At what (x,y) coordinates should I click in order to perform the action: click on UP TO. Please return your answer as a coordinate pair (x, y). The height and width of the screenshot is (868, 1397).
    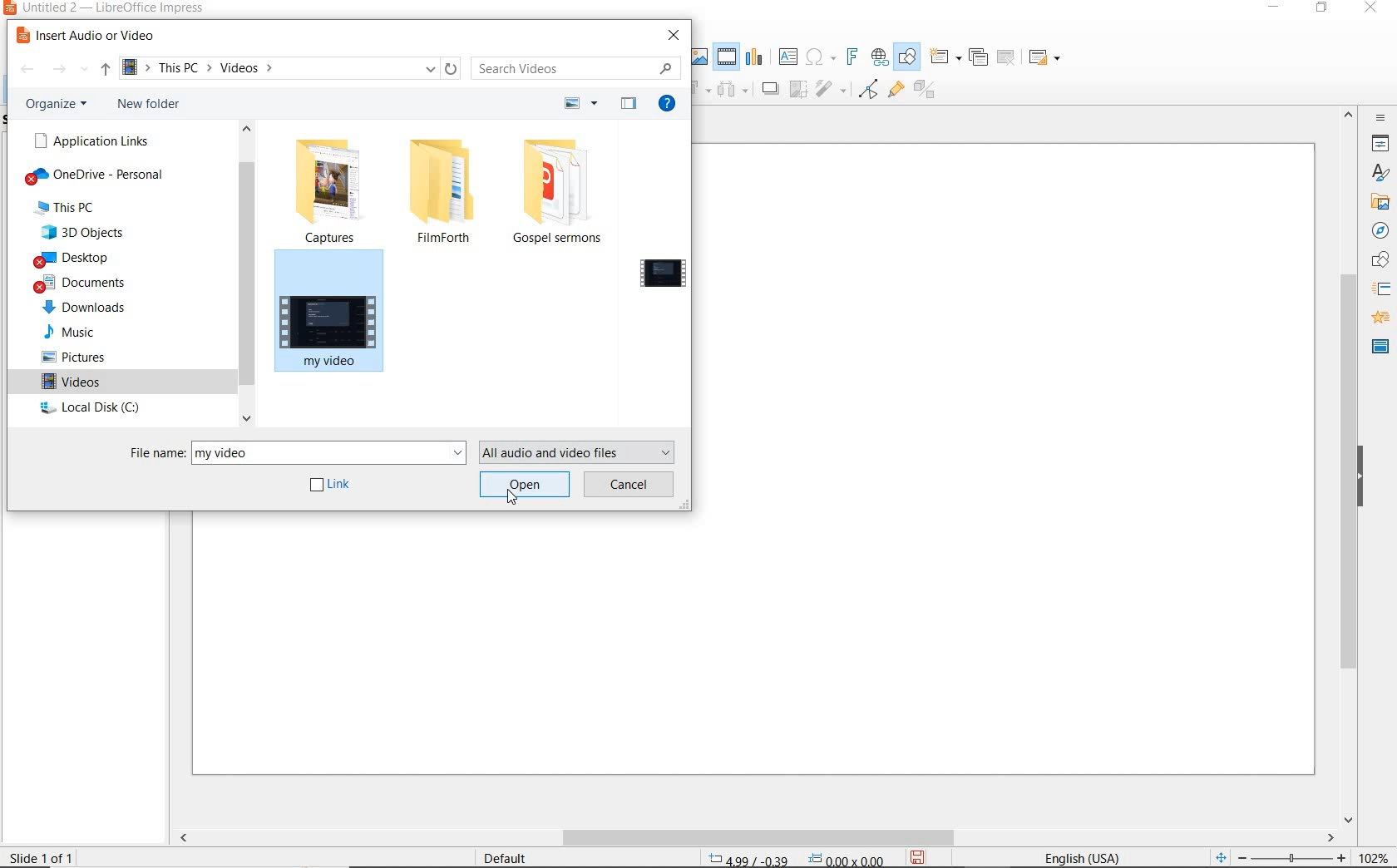
    Looking at the image, I should click on (103, 72).